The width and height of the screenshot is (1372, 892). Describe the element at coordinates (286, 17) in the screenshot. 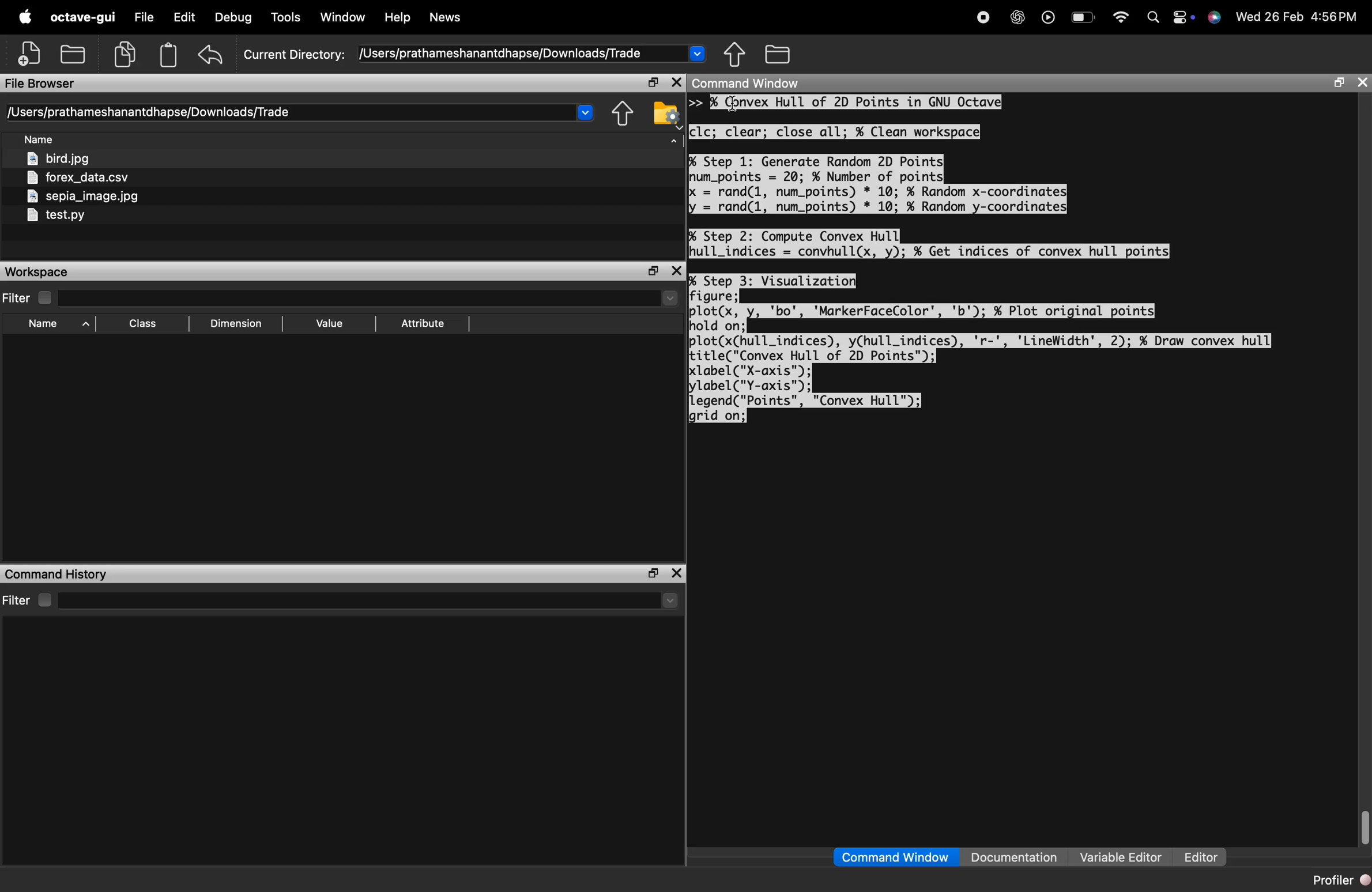

I see `Tools` at that location.